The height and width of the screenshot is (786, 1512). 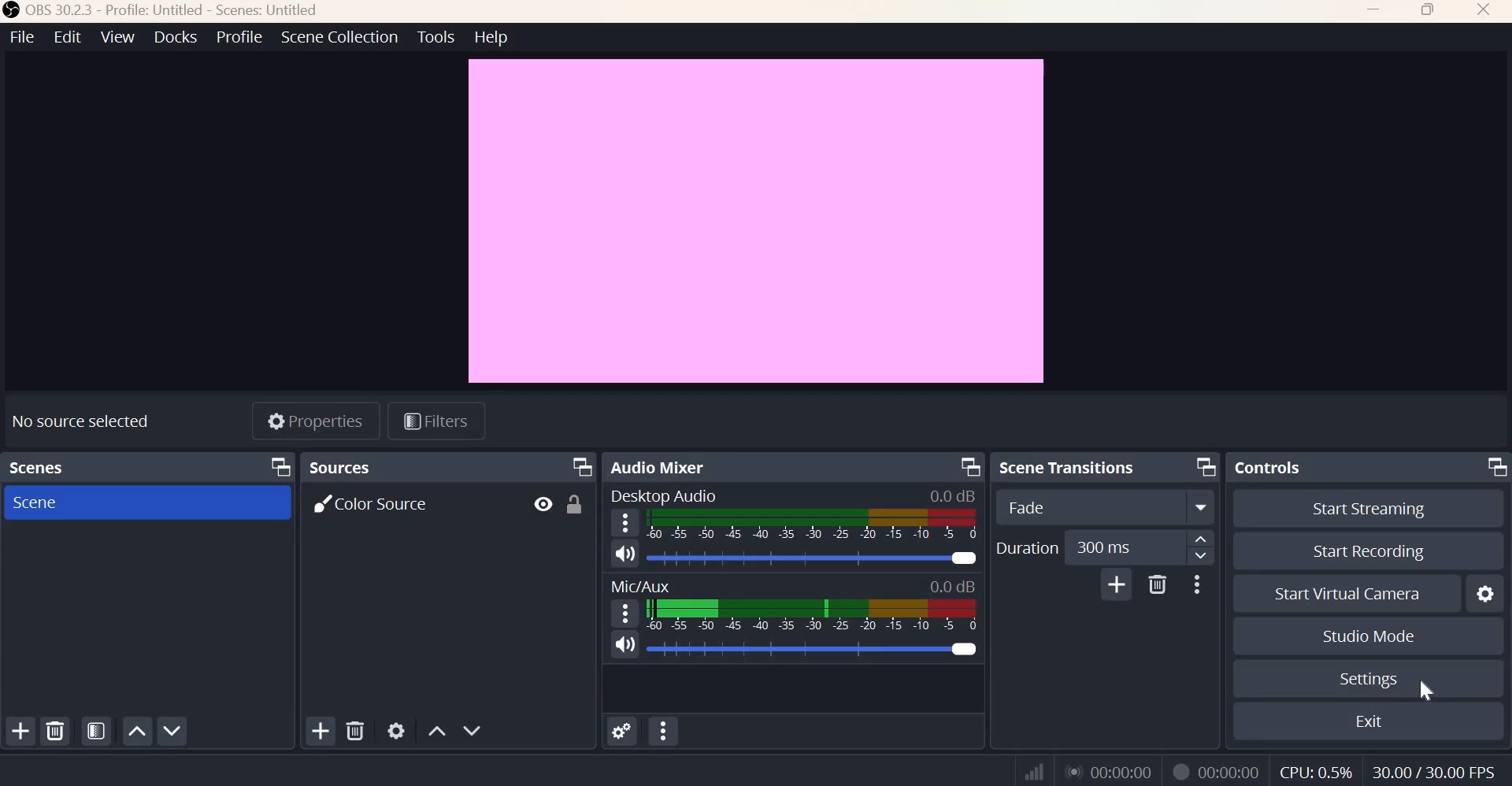 I want to click on File, so click(x=20, y=37).